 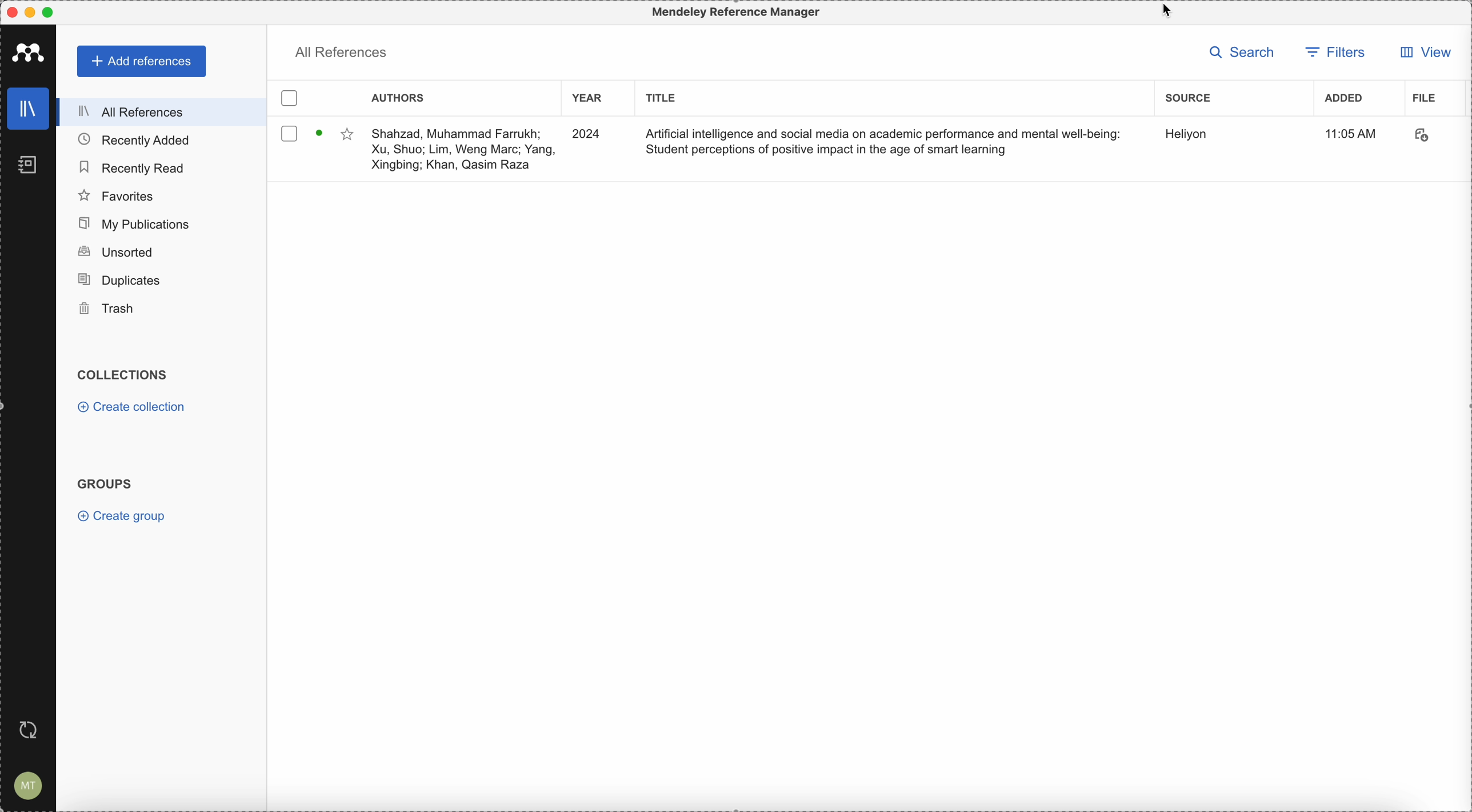 What do you see at coordinates (105, 309) in the screenshot?
I see `trash` at bounding box center [105, 309].